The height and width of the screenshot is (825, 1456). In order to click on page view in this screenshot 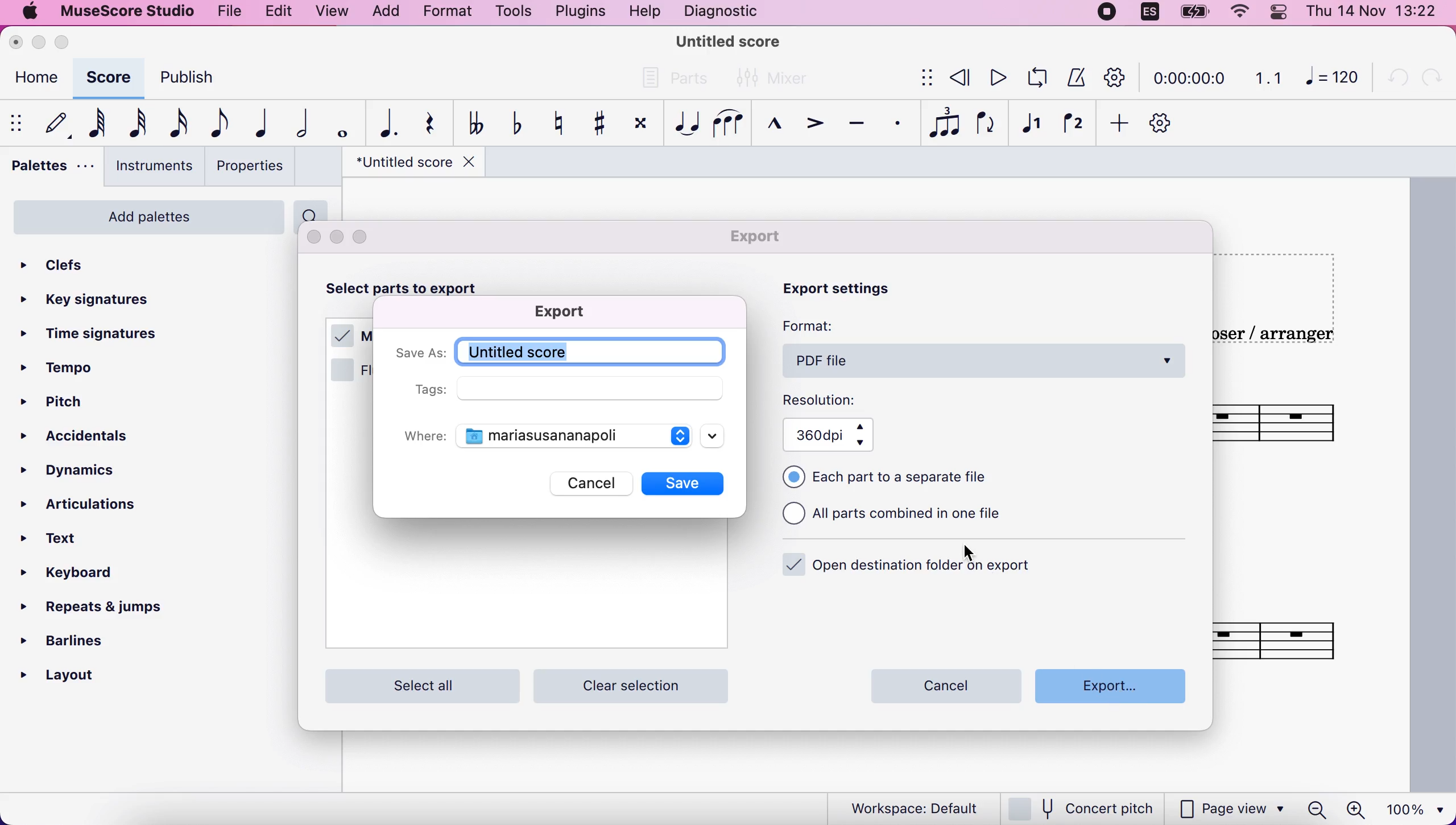, I will do `click(1232, 810)`.